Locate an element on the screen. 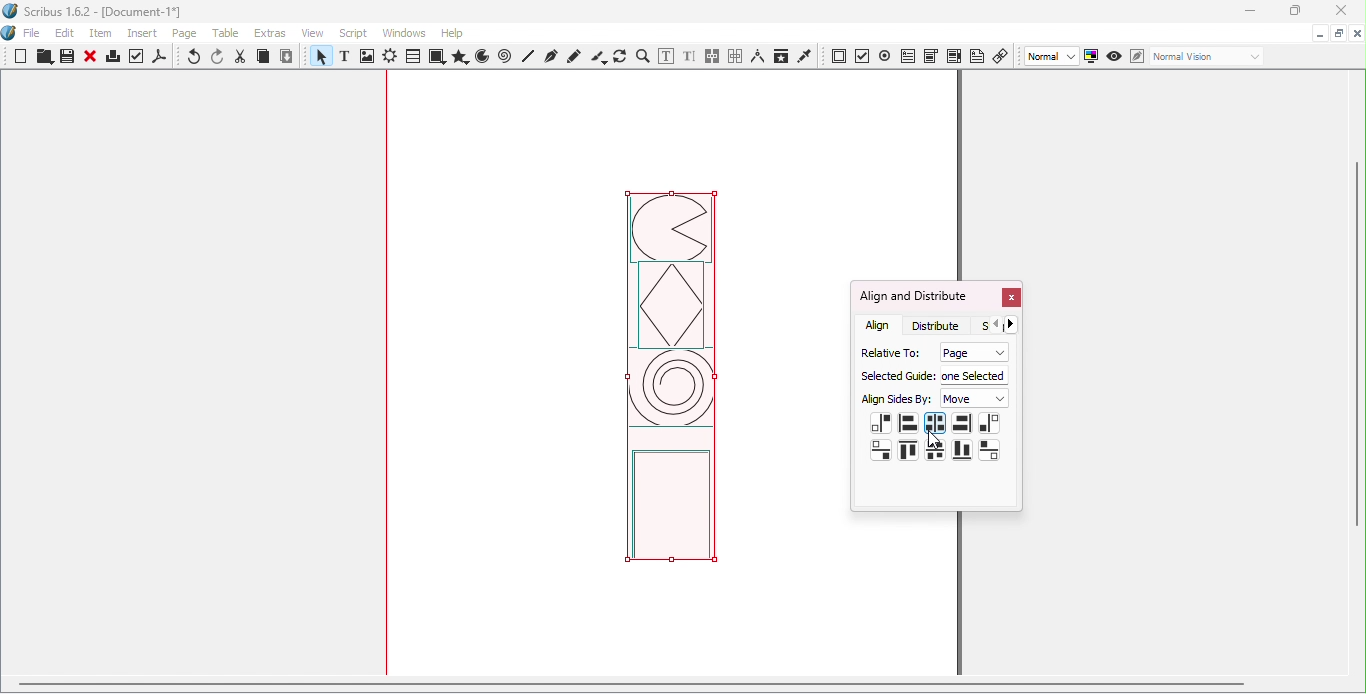  center on horizontal axis is located at coordinates (935, 450).